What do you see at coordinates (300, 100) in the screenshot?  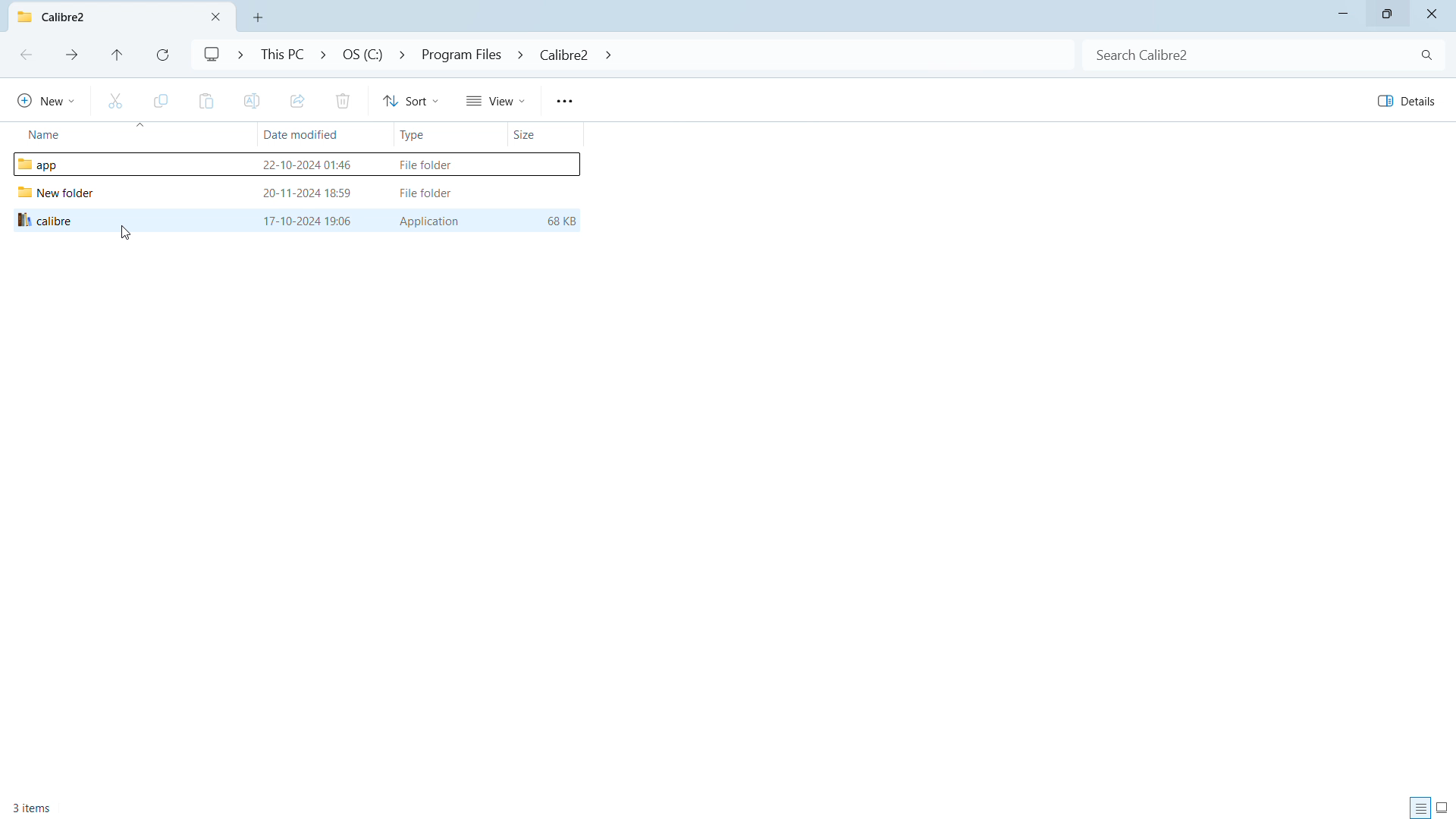 I see `share` at bounding box center [300, 100].